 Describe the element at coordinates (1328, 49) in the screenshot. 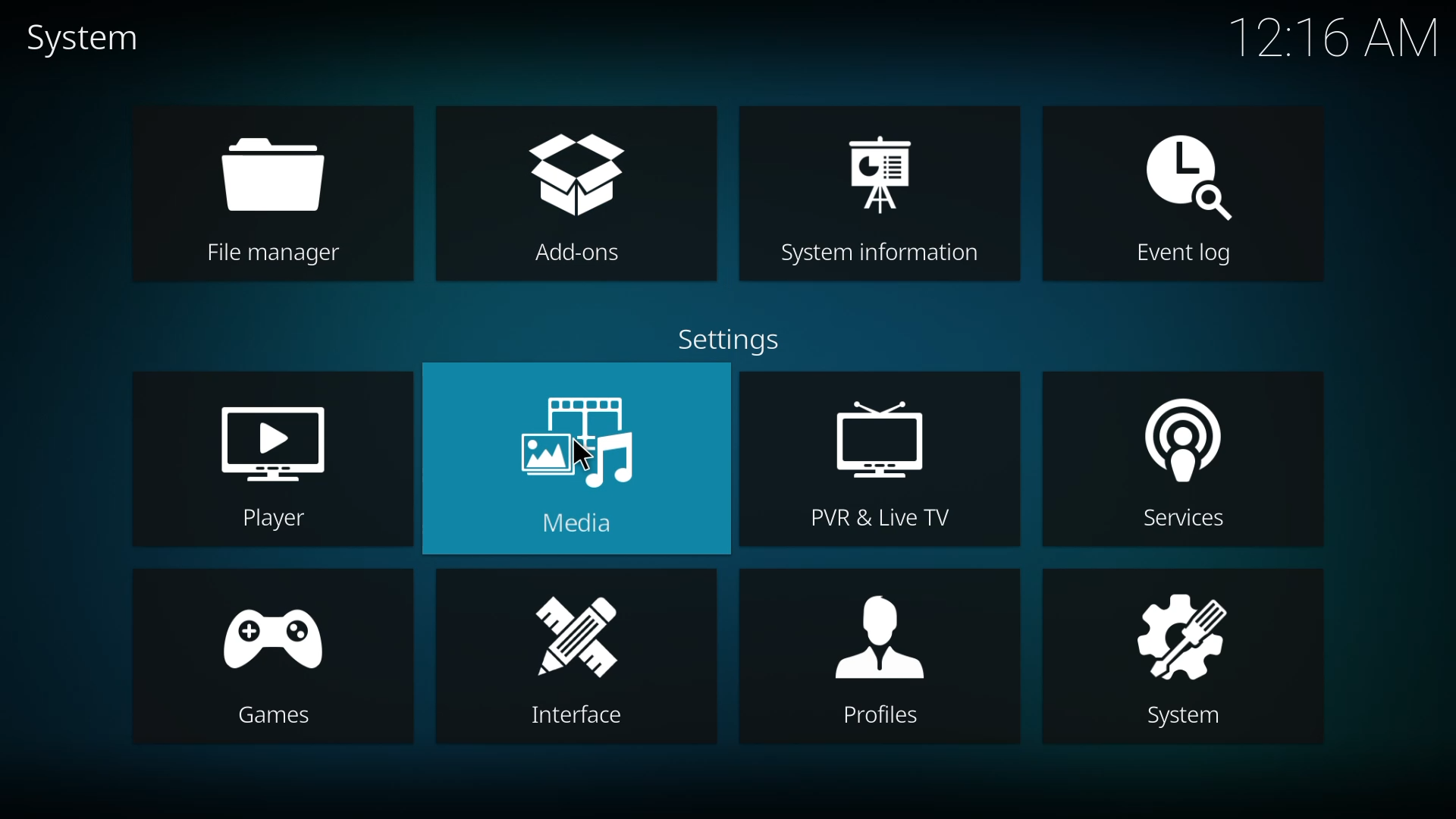

I see `12.16 AM` at that location.